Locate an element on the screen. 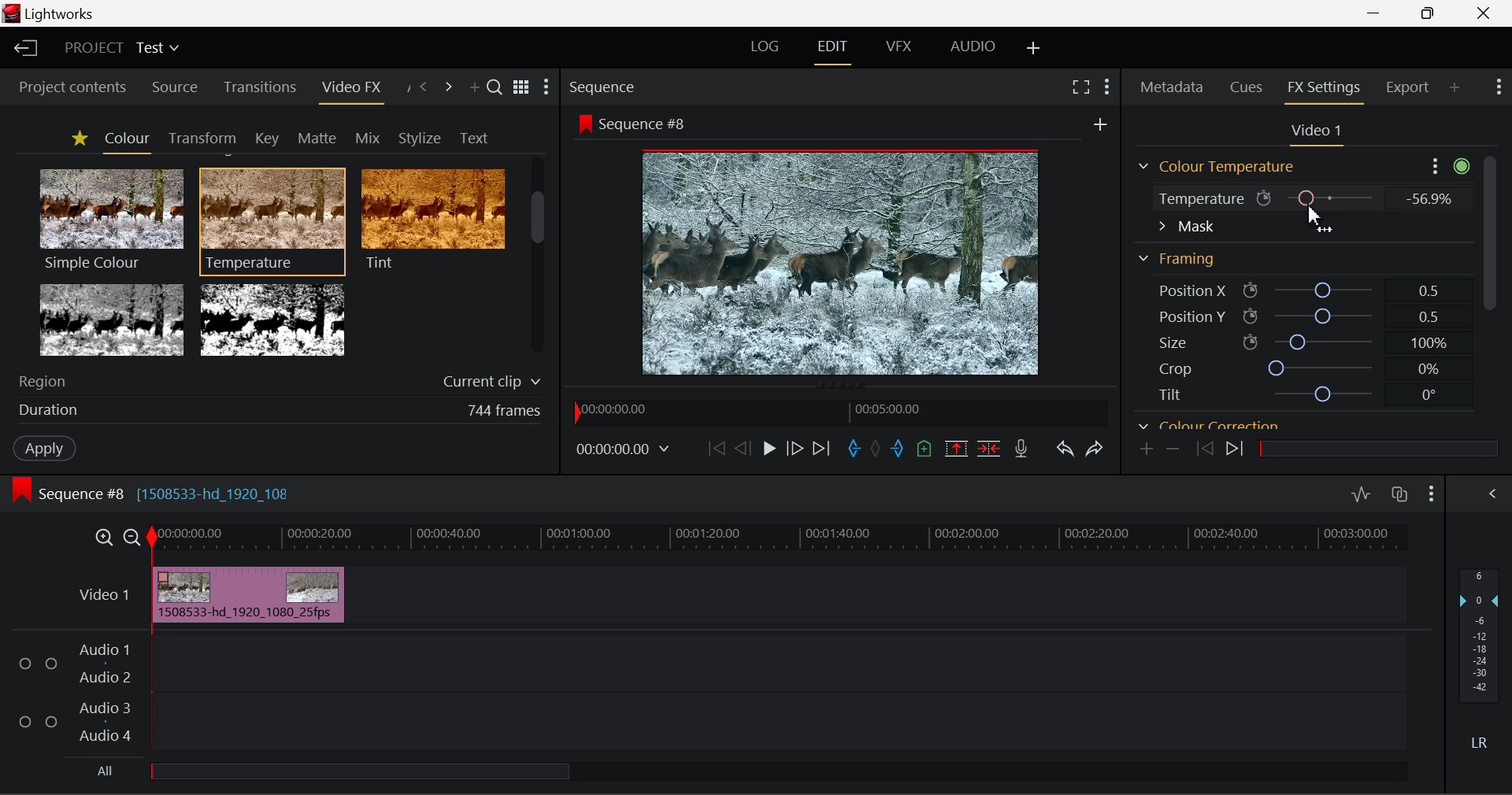  Mark Cue is located at coordinates (925, 450).